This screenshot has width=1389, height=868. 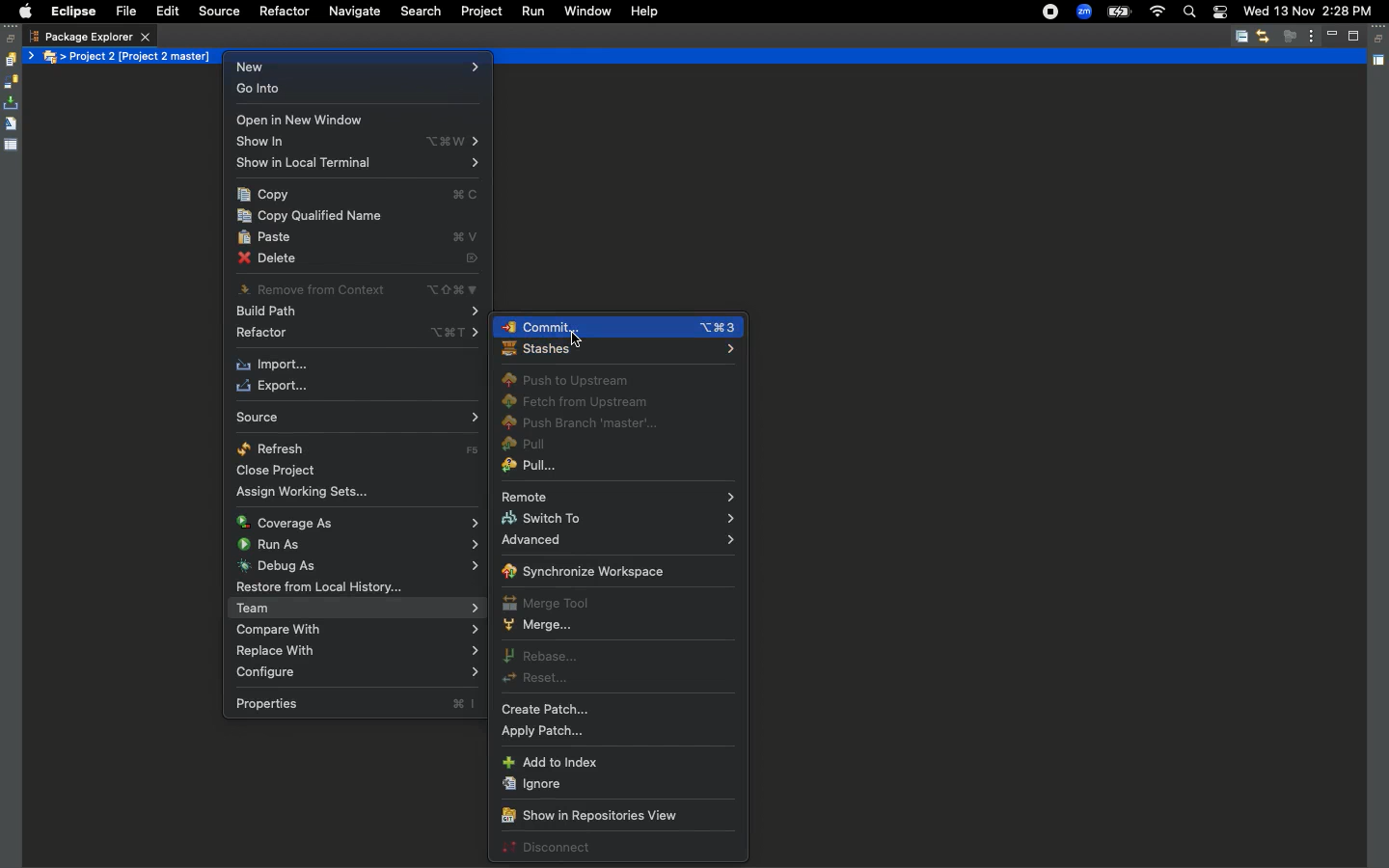 What do you see at coordinates (313, 218) in the screenshot?
I see `Copy qualified name` at bounding box center [313, 218].